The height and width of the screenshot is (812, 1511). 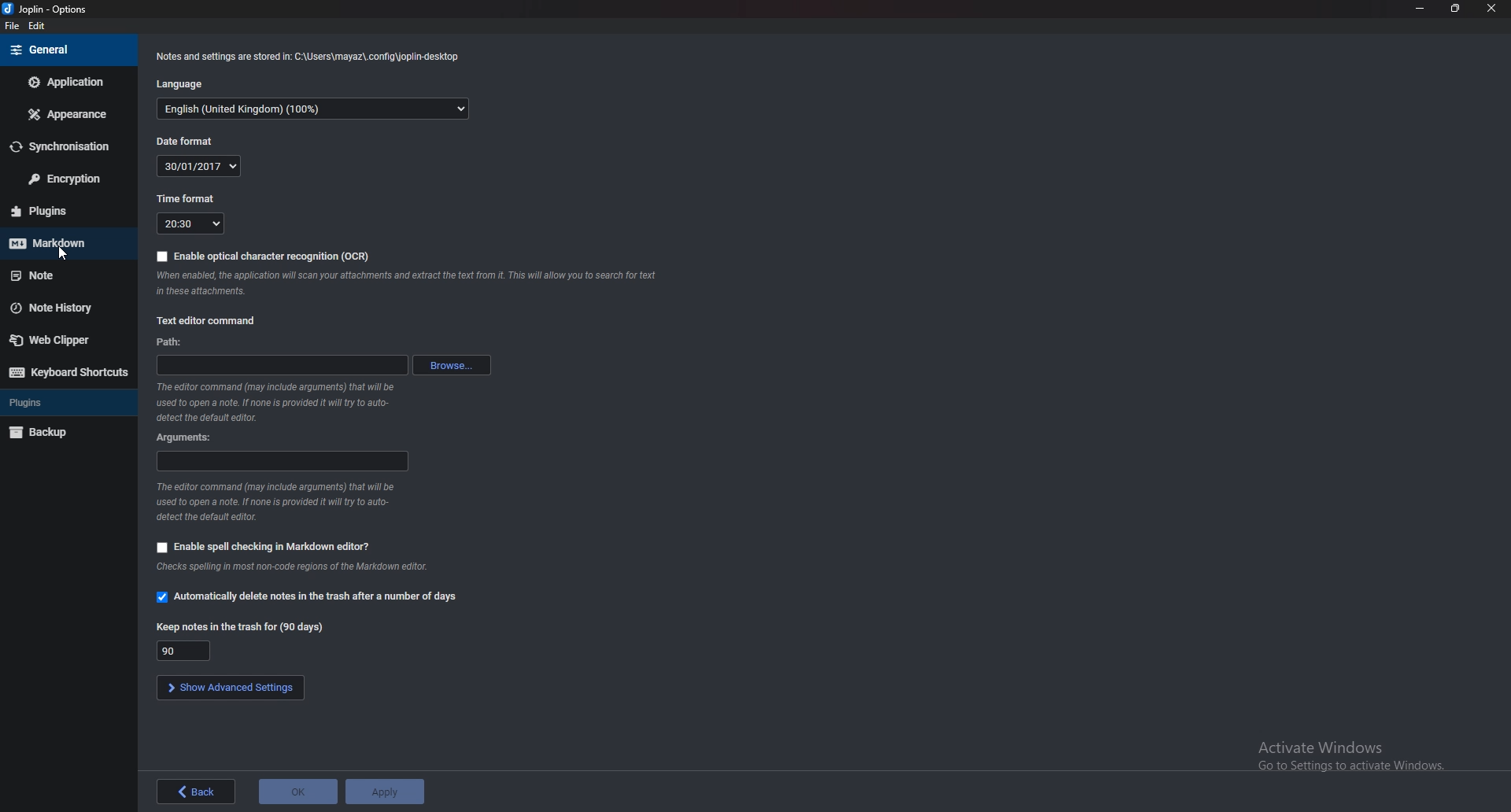 I want to click on back, so click(x=197, y=792).